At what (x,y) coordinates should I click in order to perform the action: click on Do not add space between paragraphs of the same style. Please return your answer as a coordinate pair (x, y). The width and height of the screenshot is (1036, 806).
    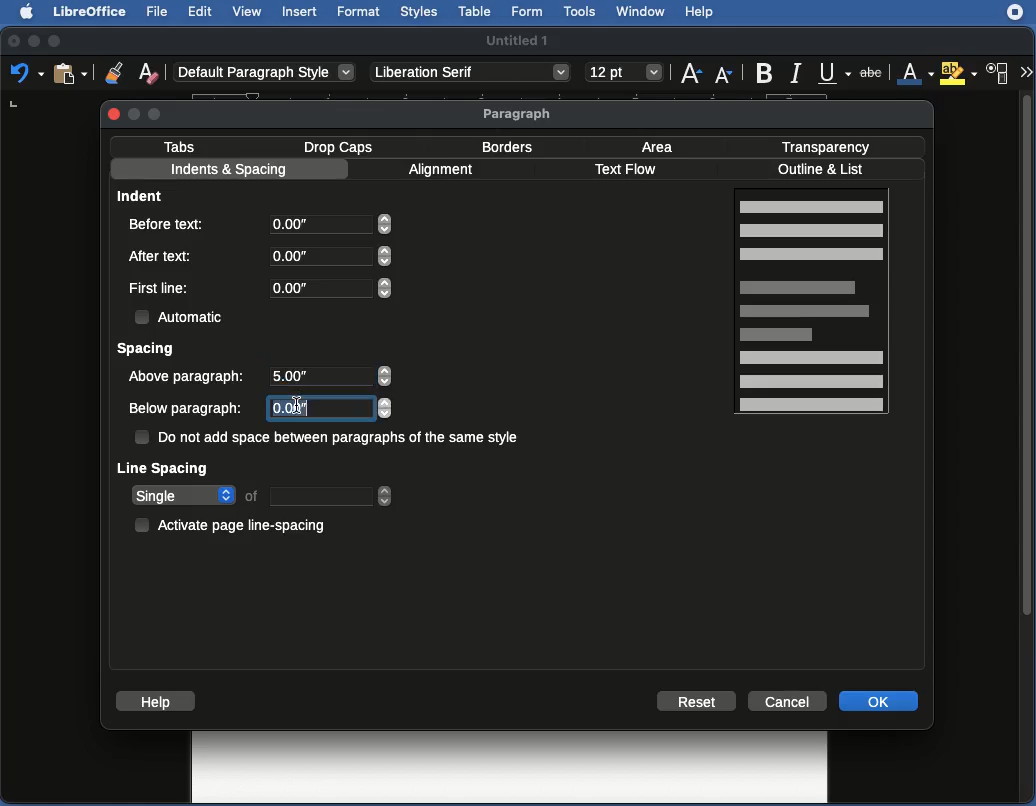
    Looking at the image, I should click on (330, 439).